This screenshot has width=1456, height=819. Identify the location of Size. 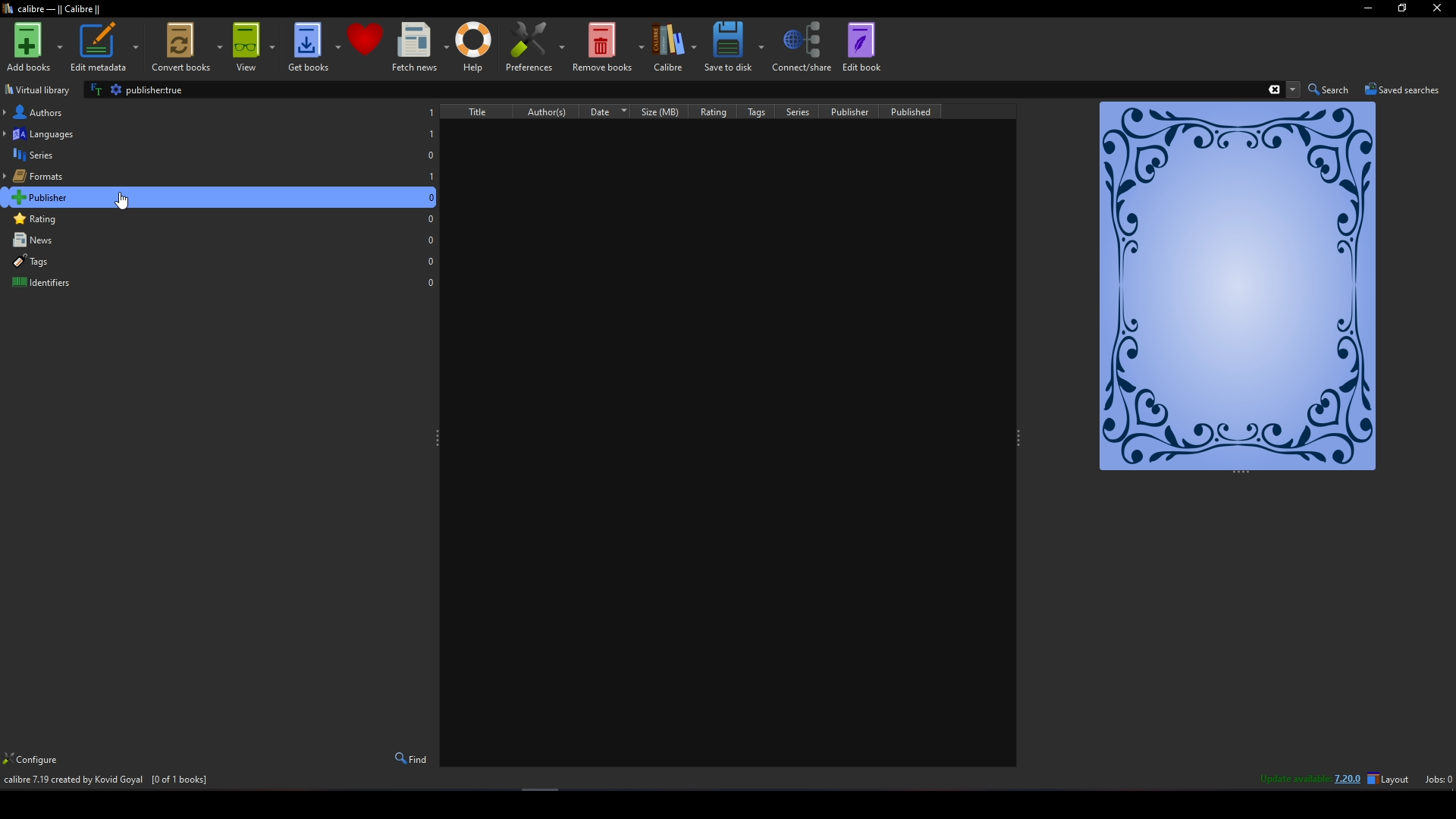
(672, 111).